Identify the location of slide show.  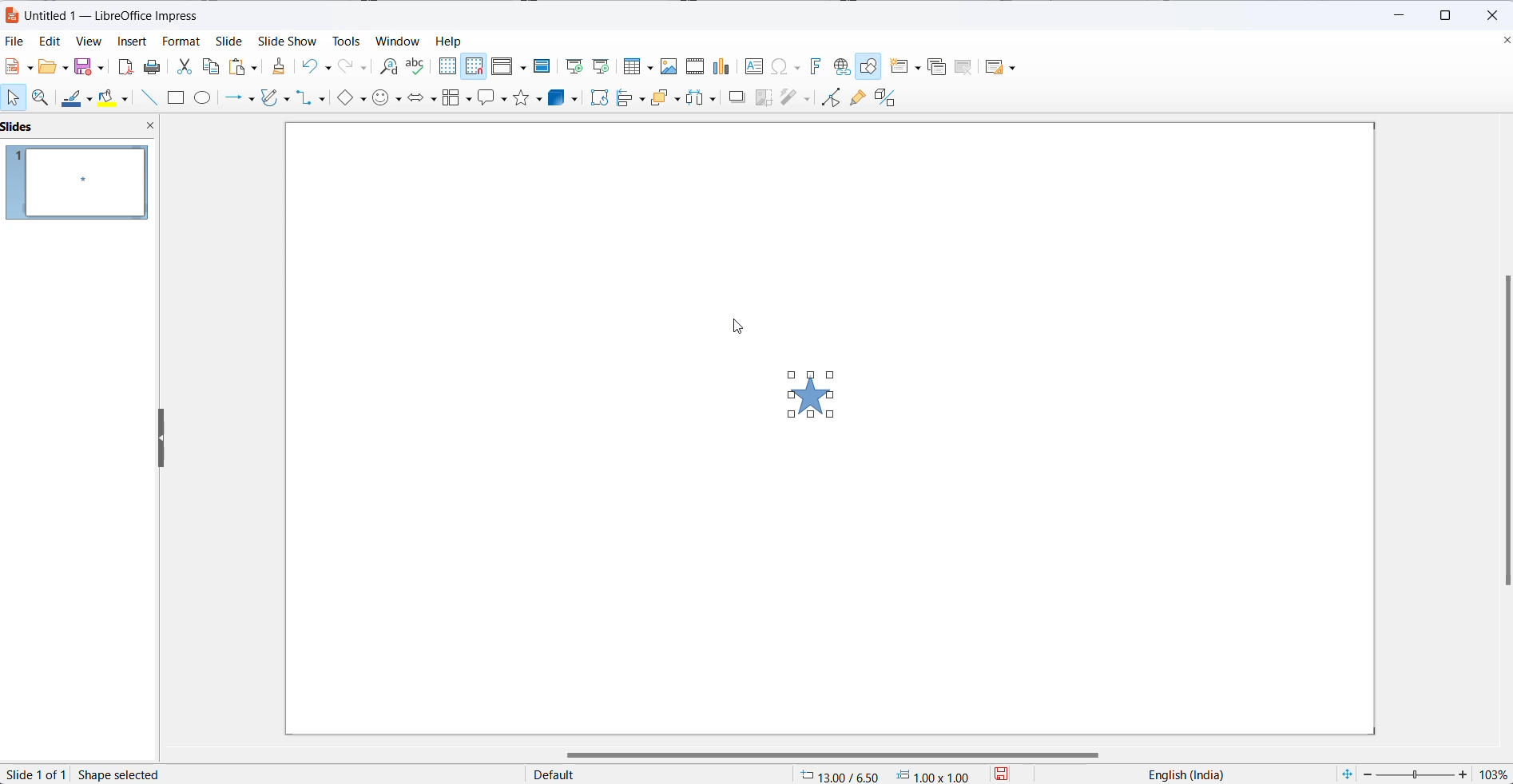
(287, 41).